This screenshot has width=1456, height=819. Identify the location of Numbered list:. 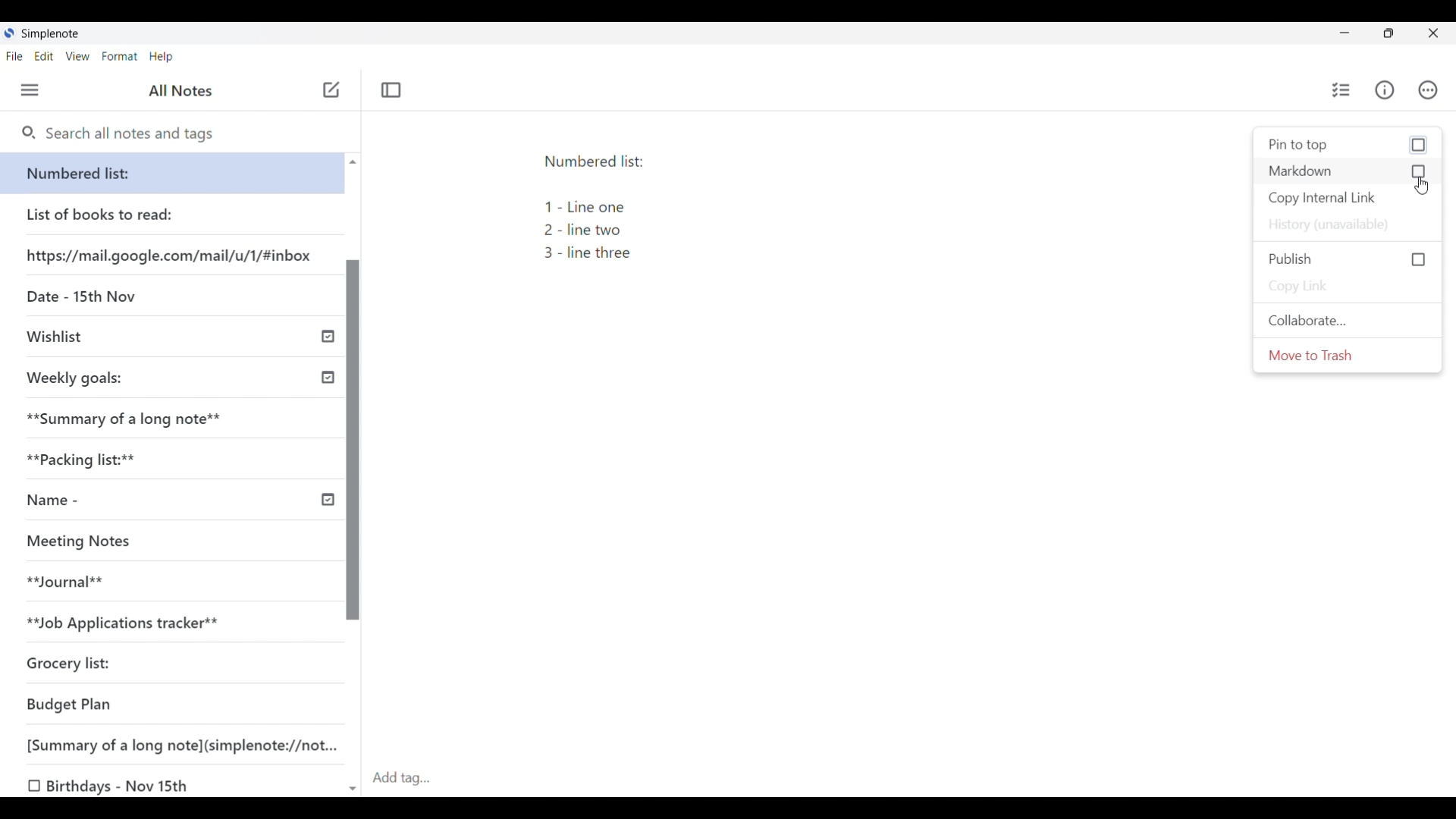
(174, 173).